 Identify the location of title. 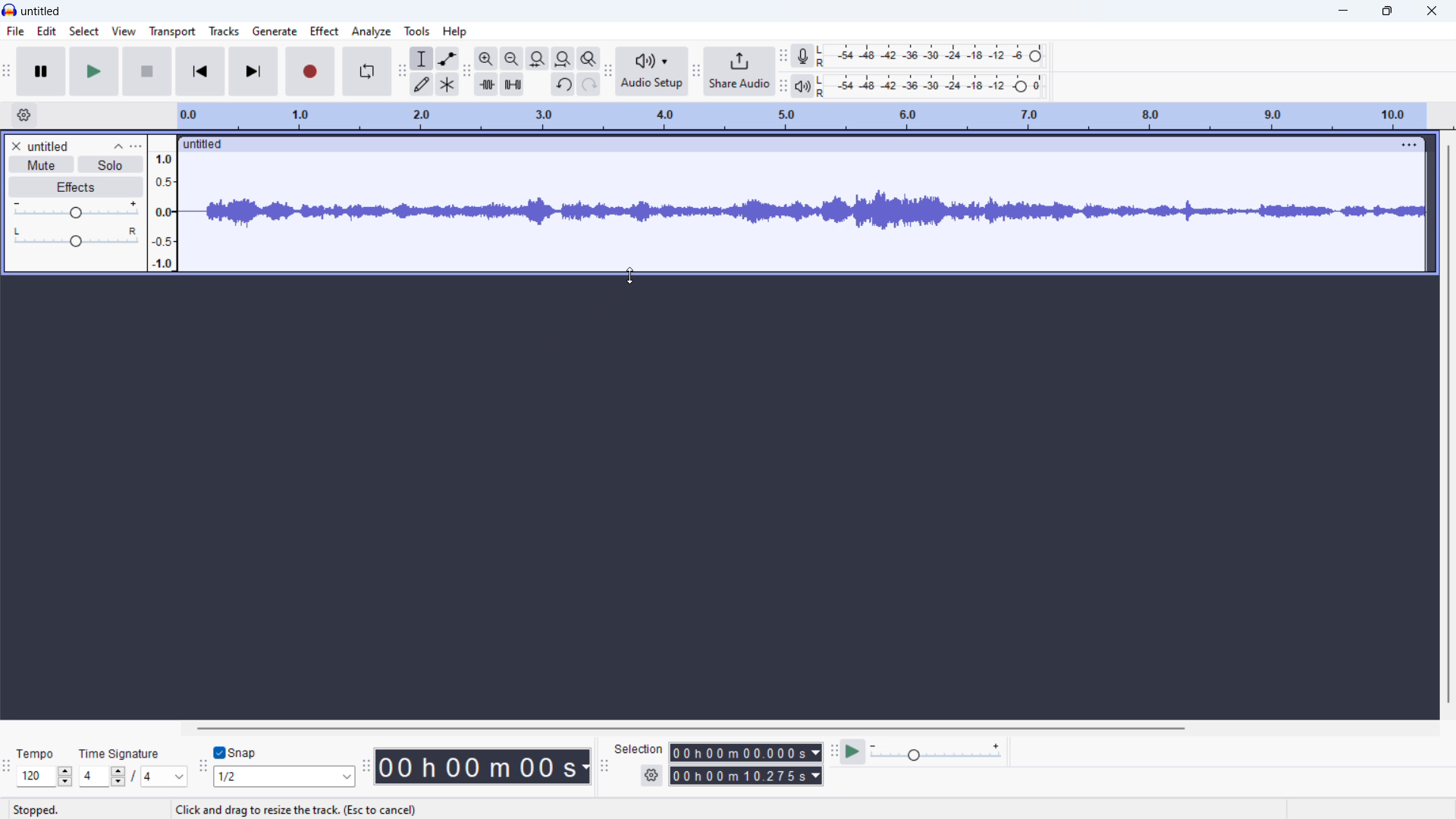
(39, 11).